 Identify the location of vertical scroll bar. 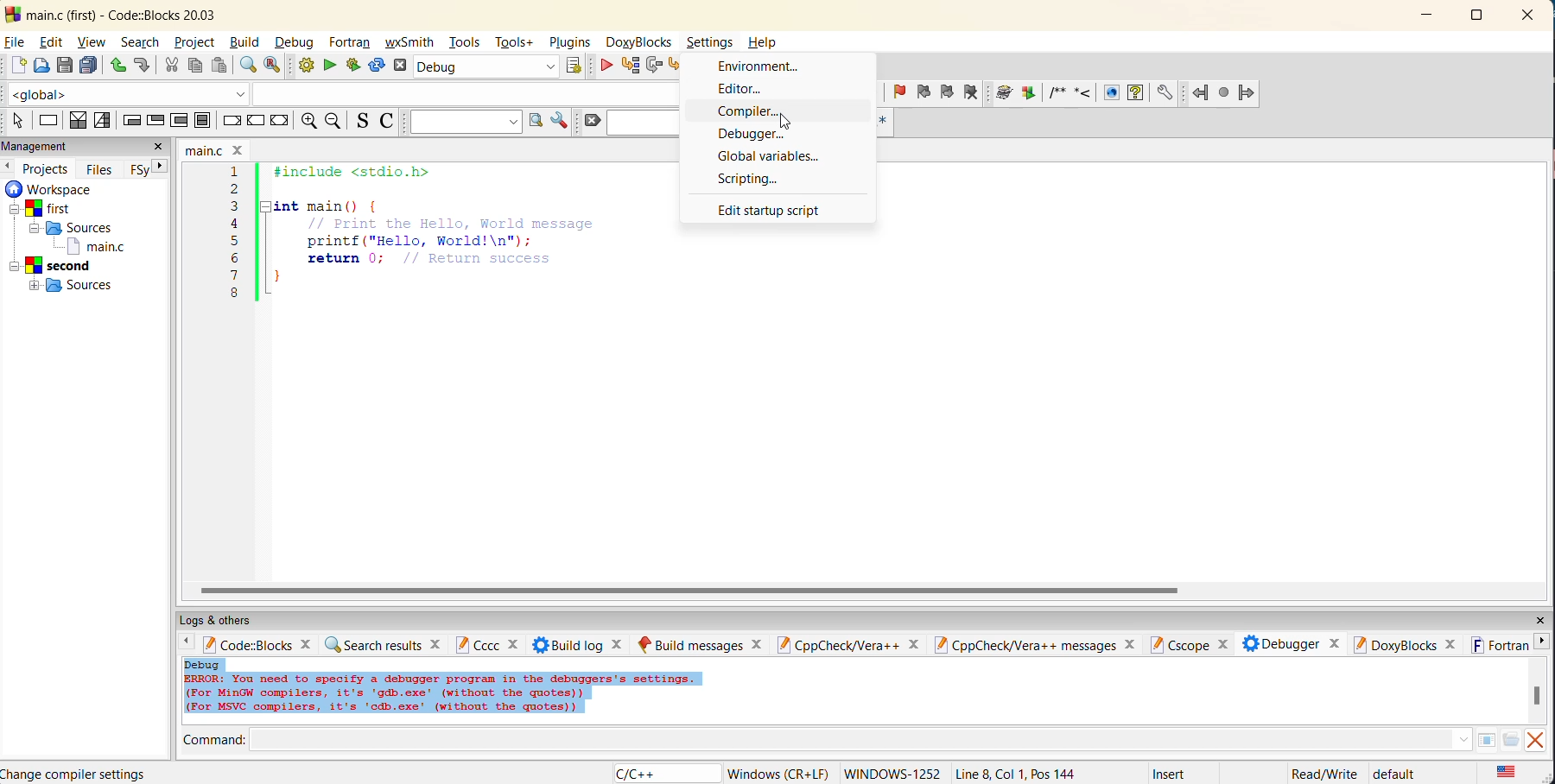
(1539, 695).